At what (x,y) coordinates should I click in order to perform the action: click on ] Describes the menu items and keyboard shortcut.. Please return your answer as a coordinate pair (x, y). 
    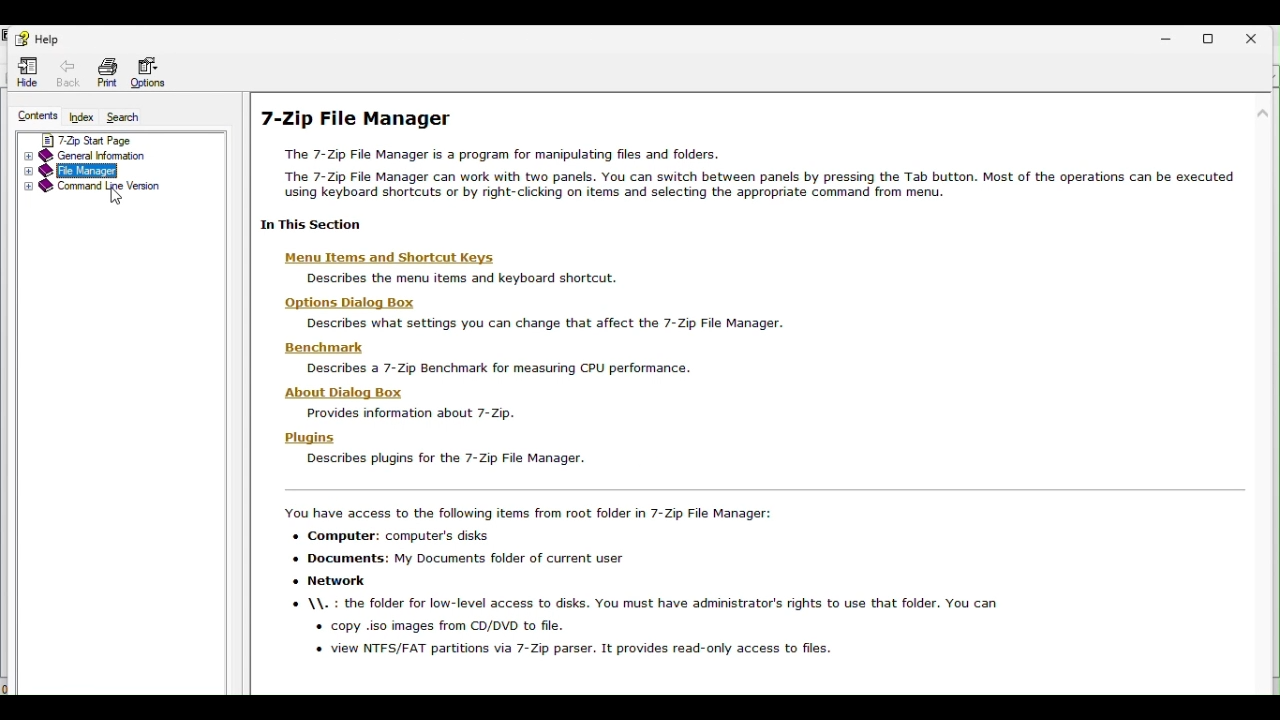
    Looking at the image, I should click on (465, 278).